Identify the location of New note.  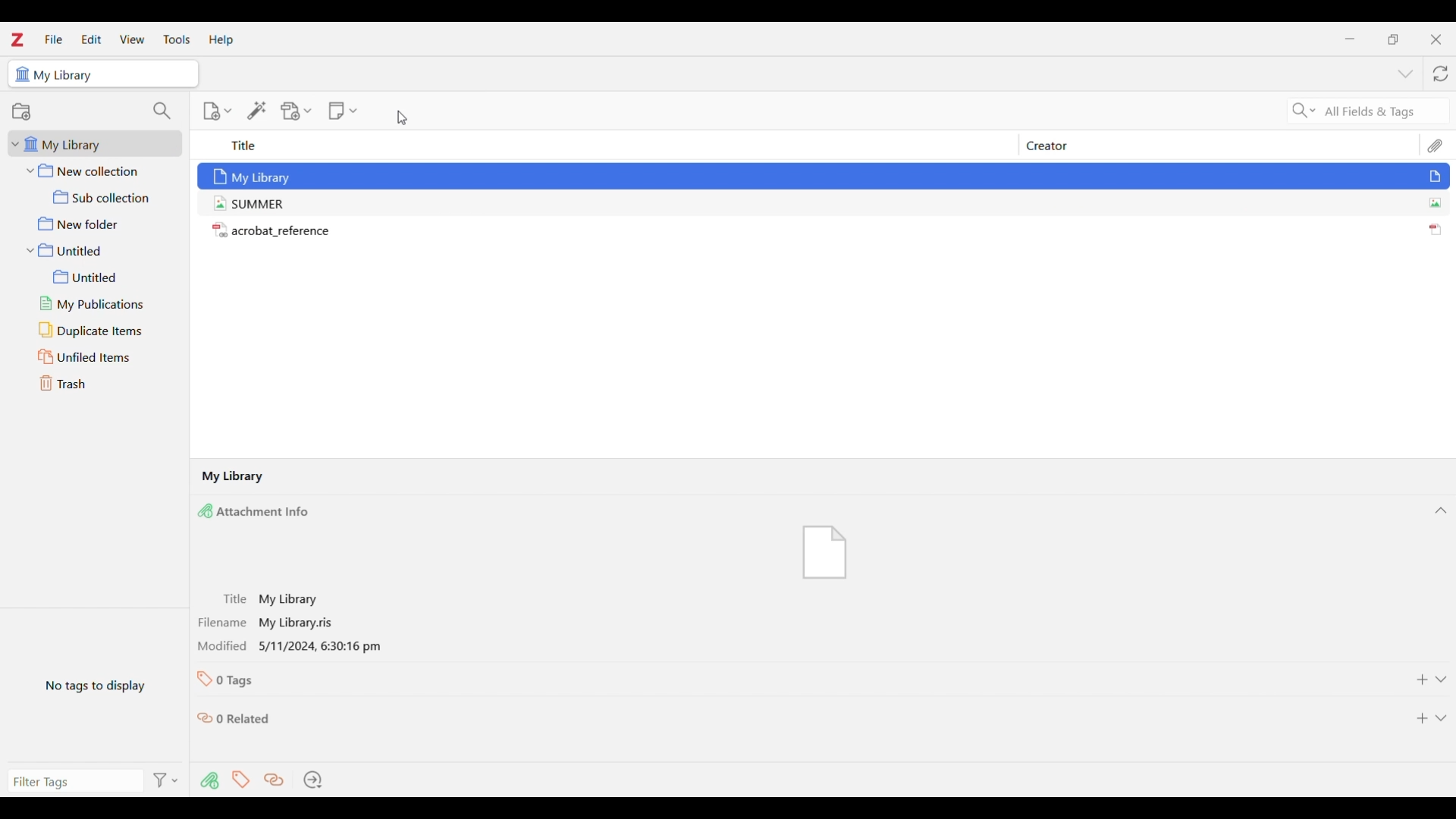
(340, 111).